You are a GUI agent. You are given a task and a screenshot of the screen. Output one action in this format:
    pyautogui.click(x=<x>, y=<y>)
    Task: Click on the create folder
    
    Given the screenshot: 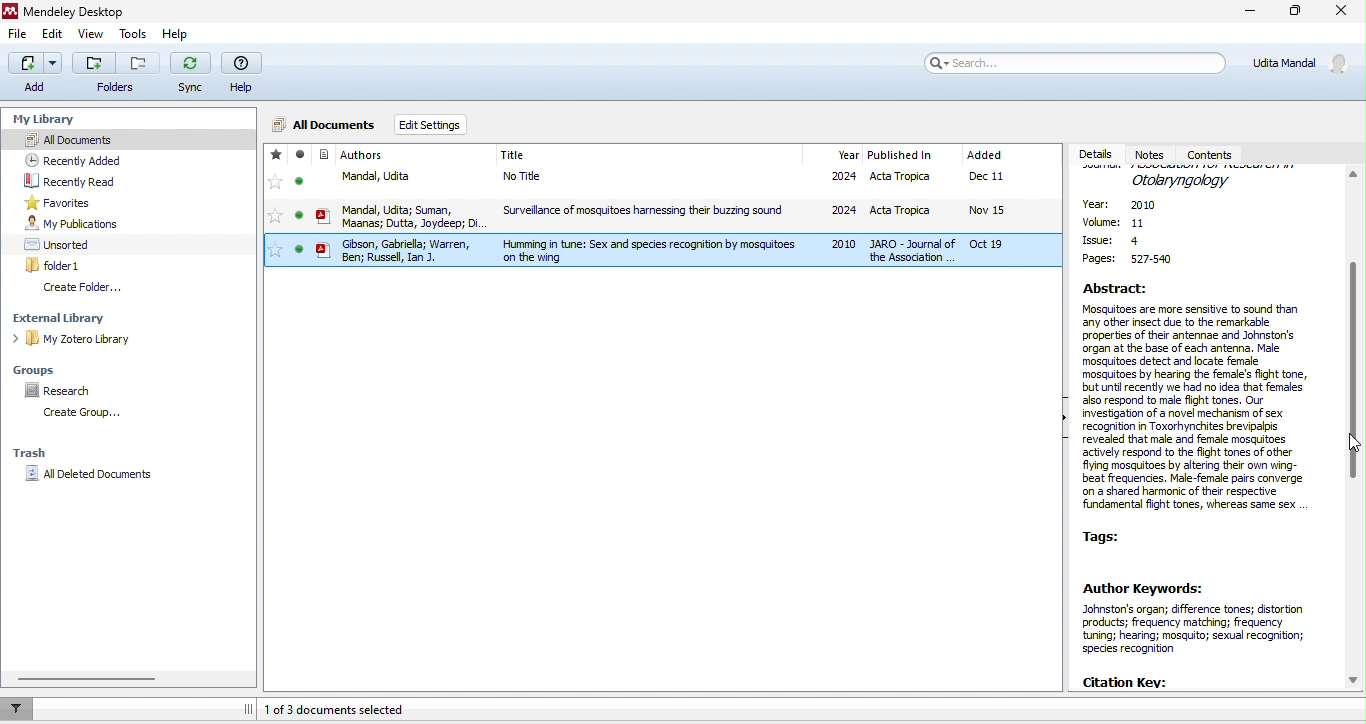 What is the action you would take?
    pyautogui.click(x=84, y=288)
    